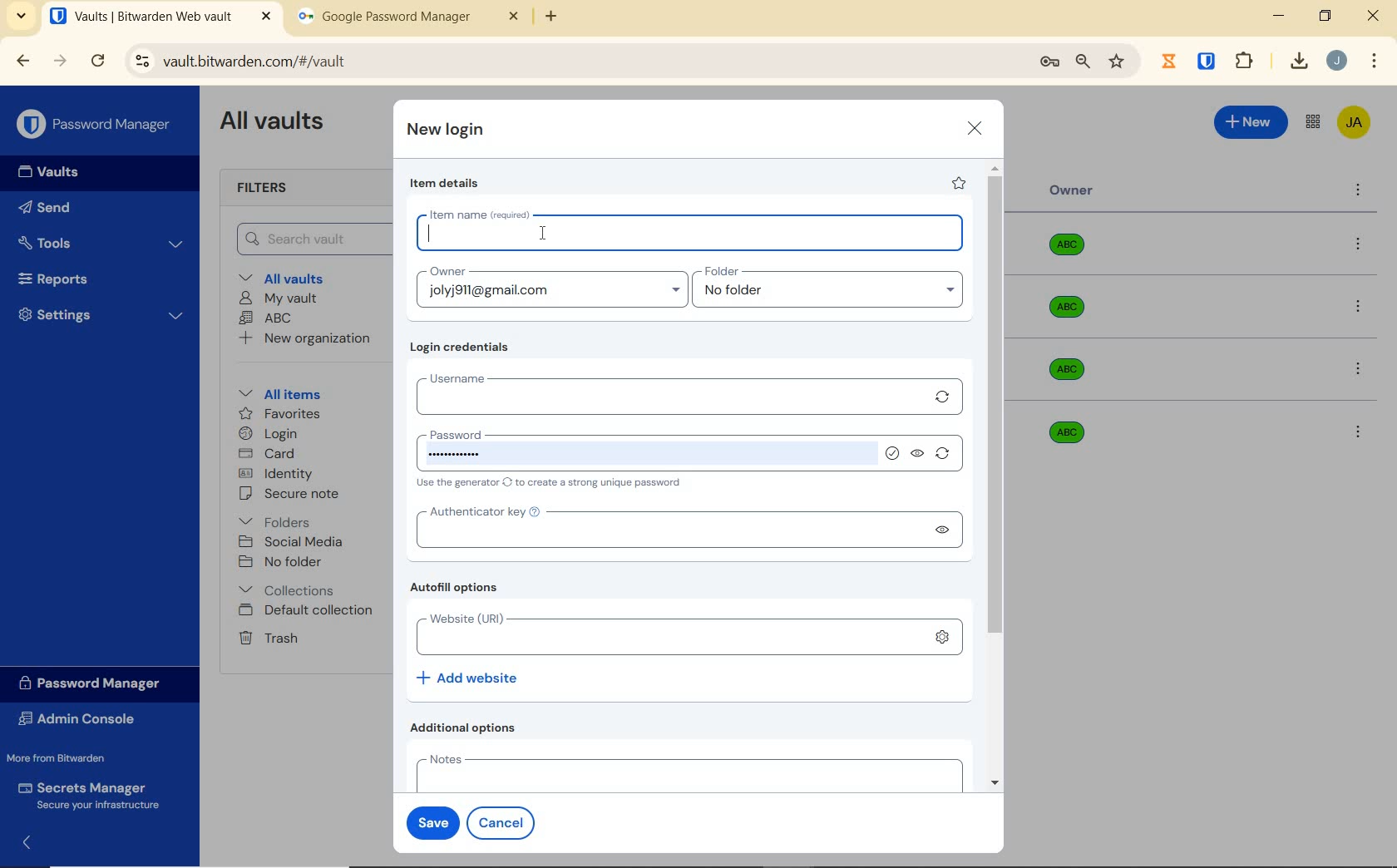 This screenshot has width=1397, height=868. What do you see at coordinates (975, 128) in the screenshot?
I see `close` at bounding box center [975, 128].